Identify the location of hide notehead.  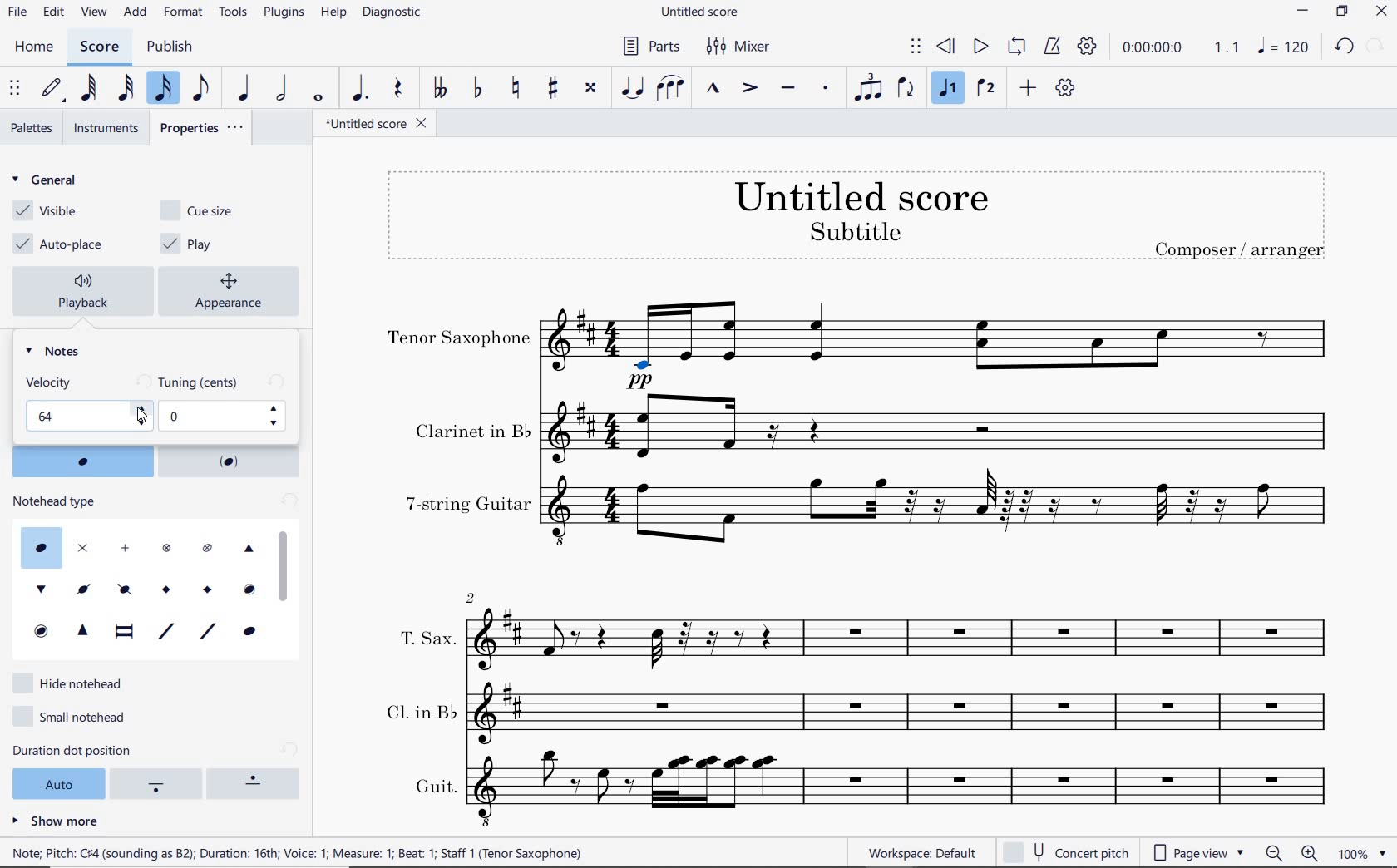
(74, 682).